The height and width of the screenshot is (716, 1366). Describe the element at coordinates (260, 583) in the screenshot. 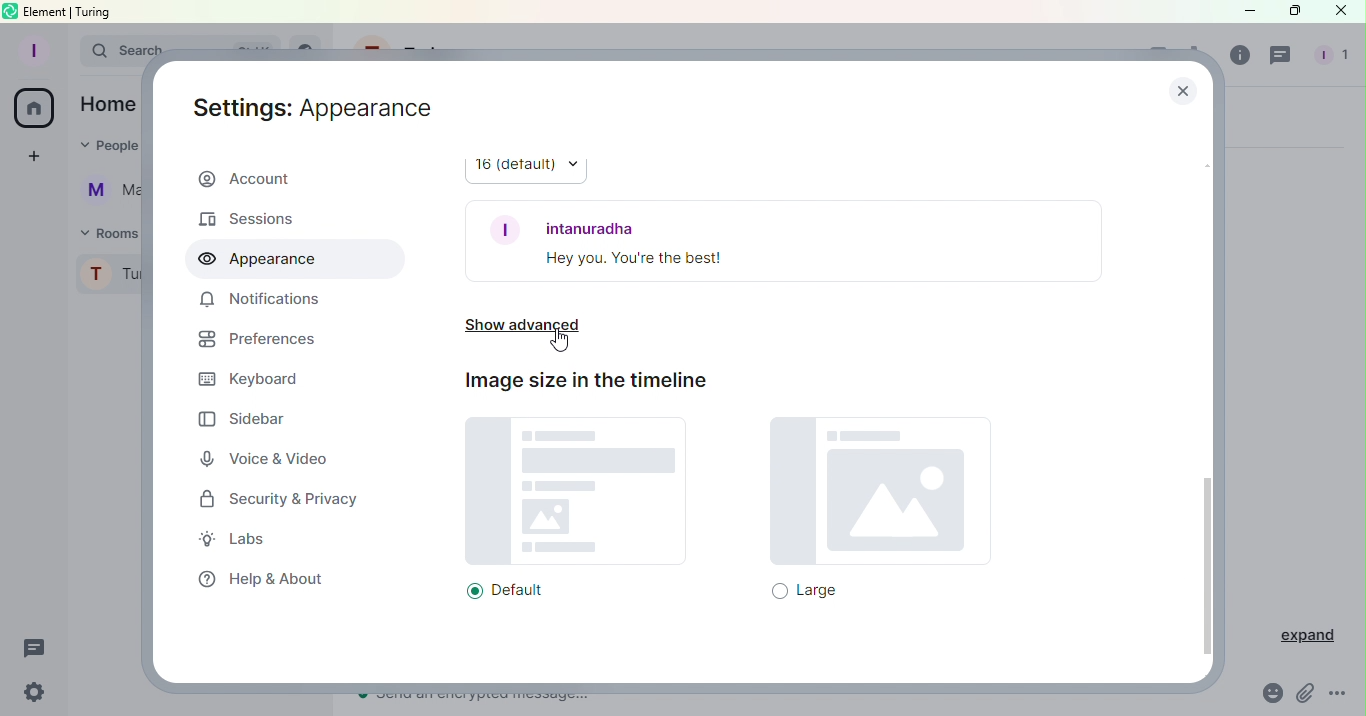

I see `Help and about` at that location.